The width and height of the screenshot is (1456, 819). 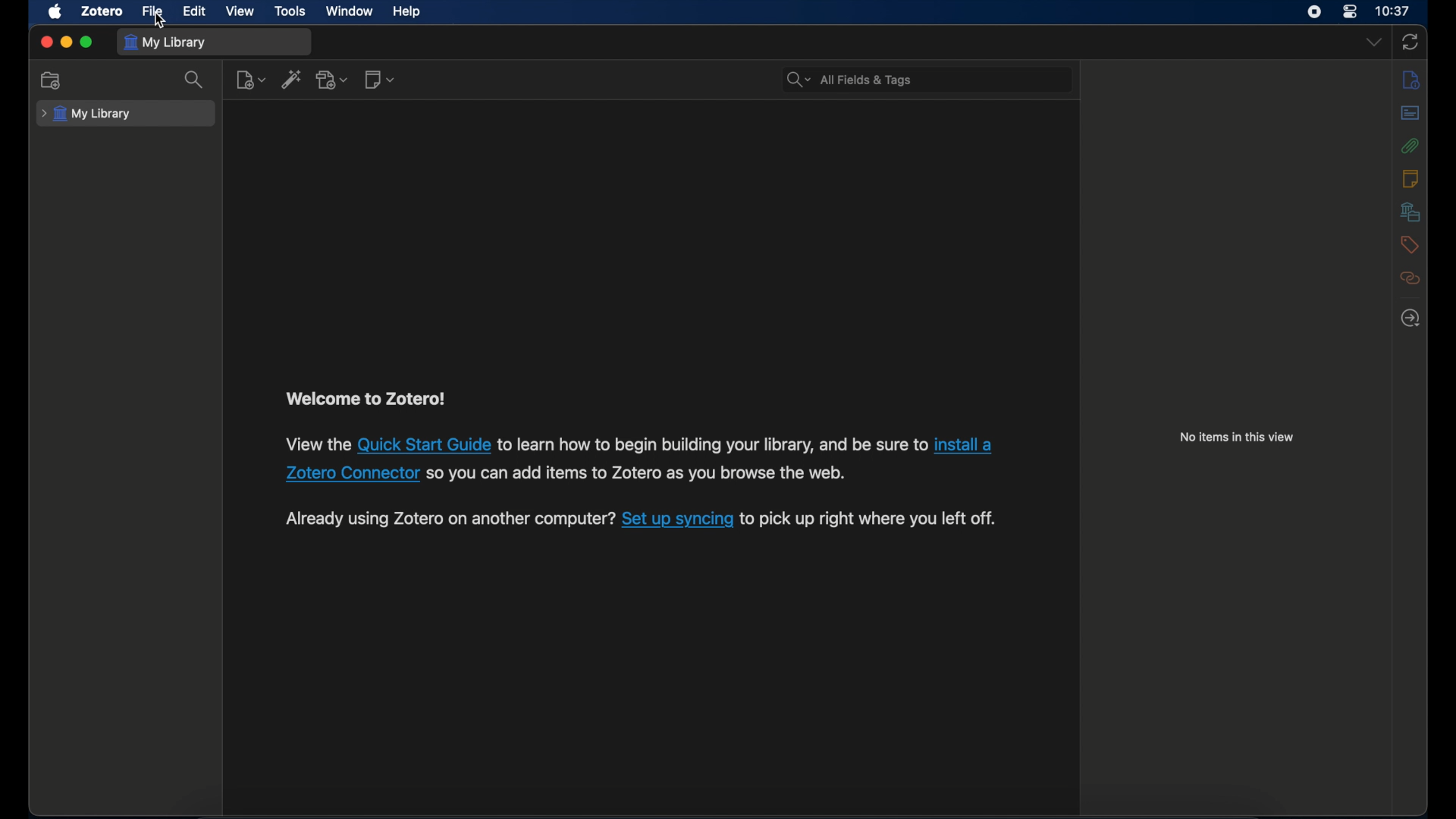 What do you see at coordinates (1410, 114) in the screenshot?
I see `abstract` at bounding box center [1410, 114].